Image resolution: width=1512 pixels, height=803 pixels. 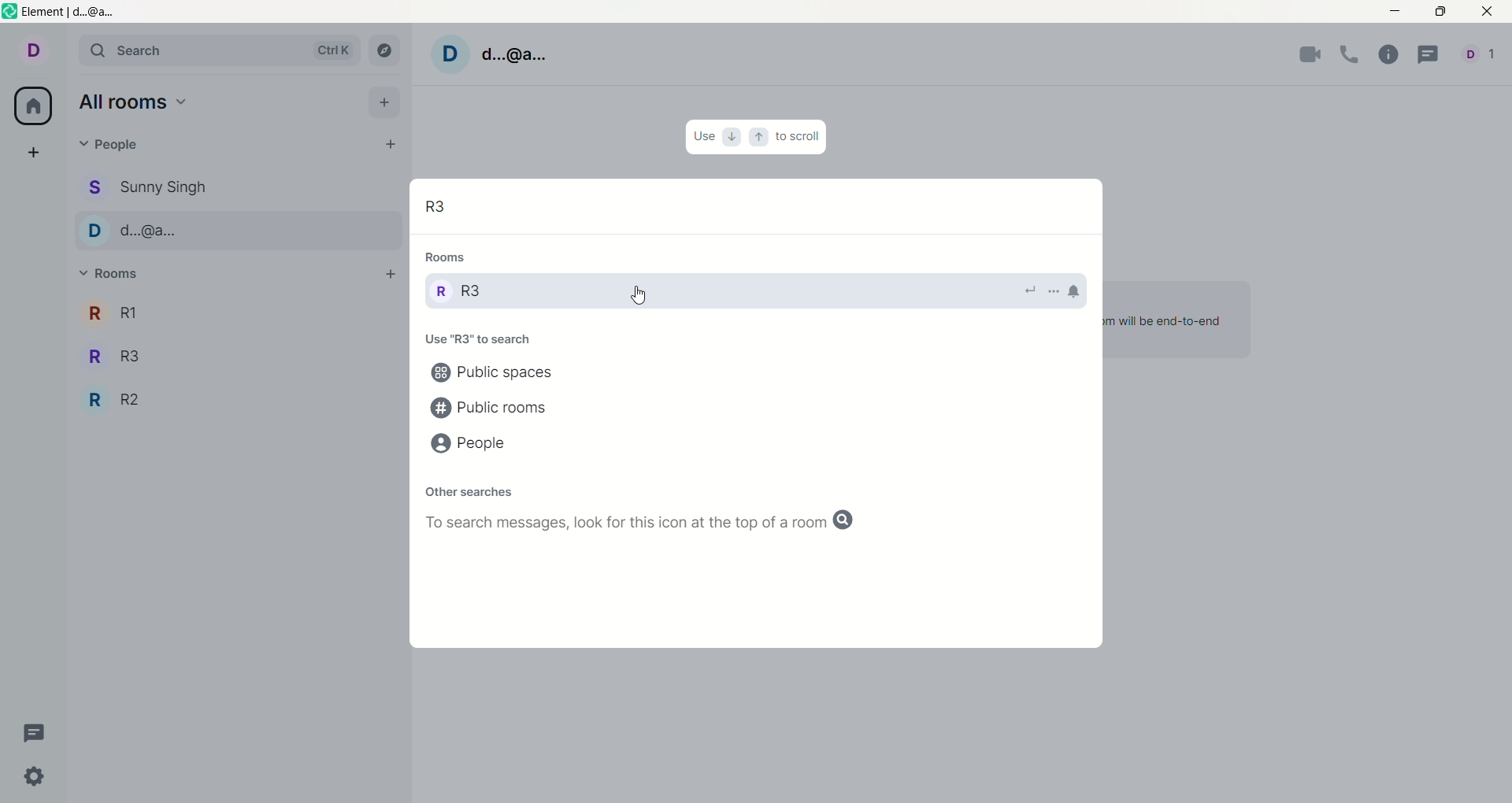 What do you see at coordinates (216, 50) in the screenshot?
I see `search` at bounding box center [216, 50].